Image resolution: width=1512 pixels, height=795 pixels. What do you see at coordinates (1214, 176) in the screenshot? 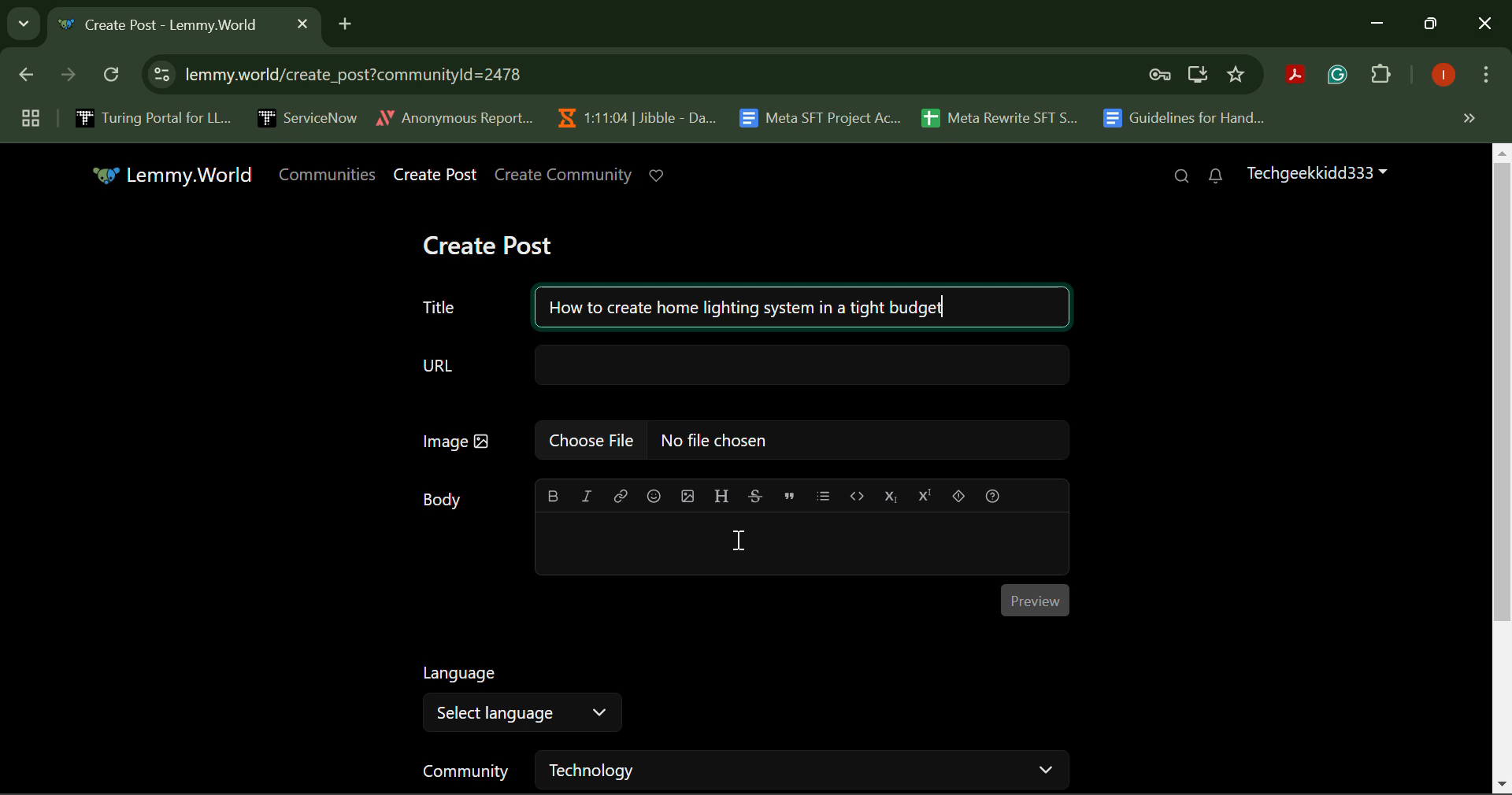
I see `Notifications` at bounding box center [1214, 176].